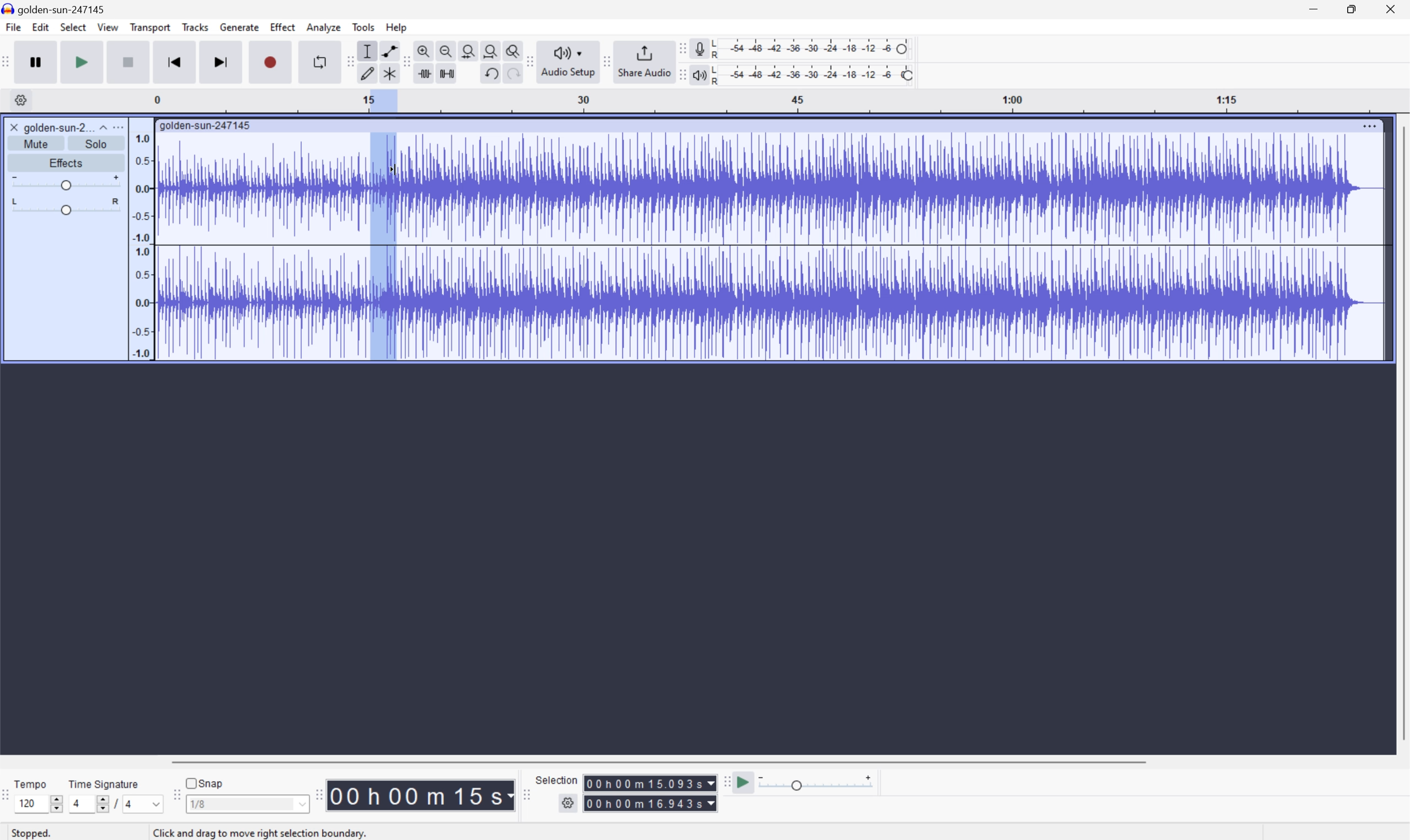 The height and width of the screenshot is (840, 1410). I want to click on Close, so click(1394, 8).